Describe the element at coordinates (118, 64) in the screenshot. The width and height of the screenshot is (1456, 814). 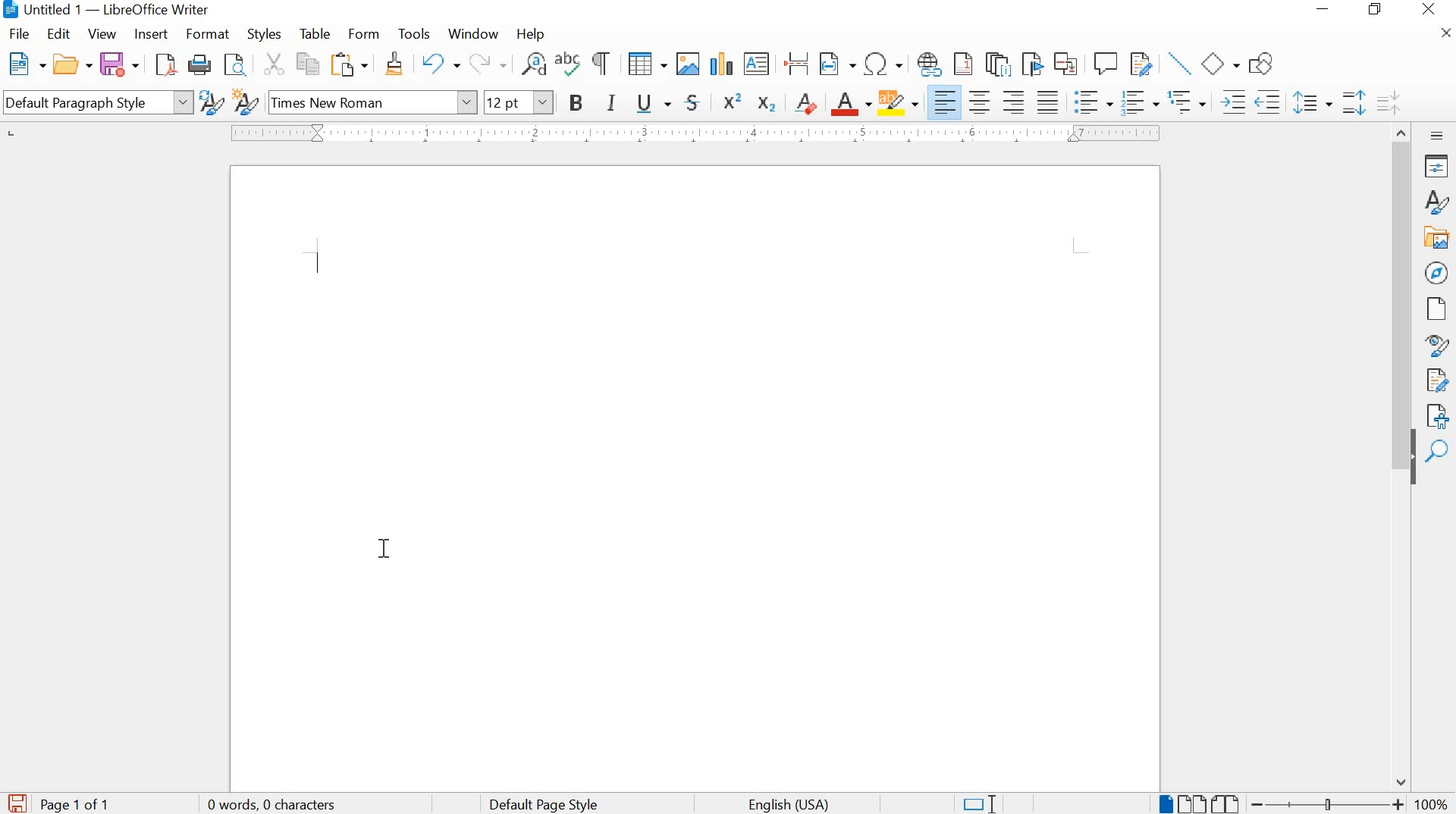
I see `SAVE` at that location.